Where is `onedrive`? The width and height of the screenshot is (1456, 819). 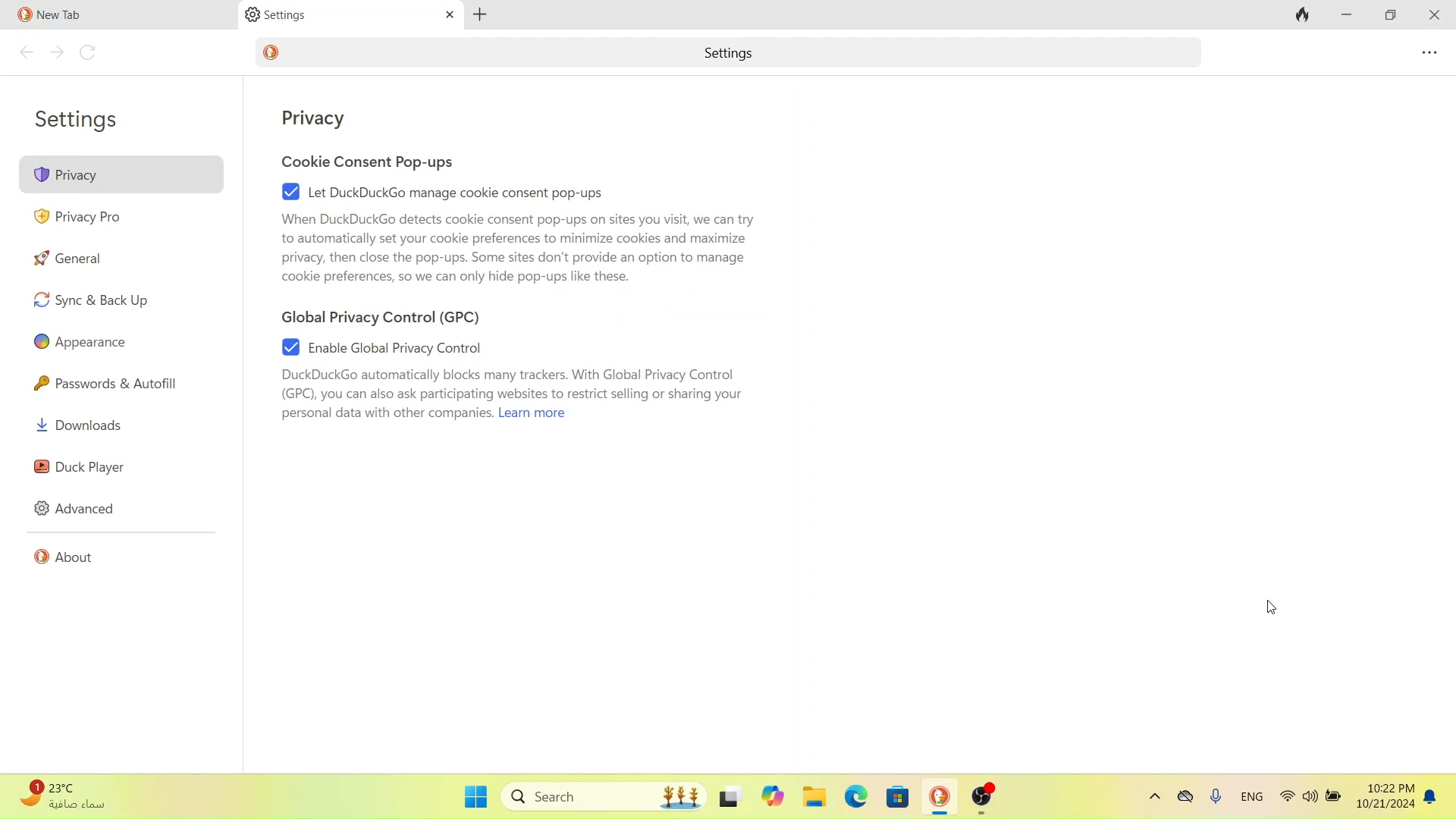
onedrive is located at coordinates (1186, 799).